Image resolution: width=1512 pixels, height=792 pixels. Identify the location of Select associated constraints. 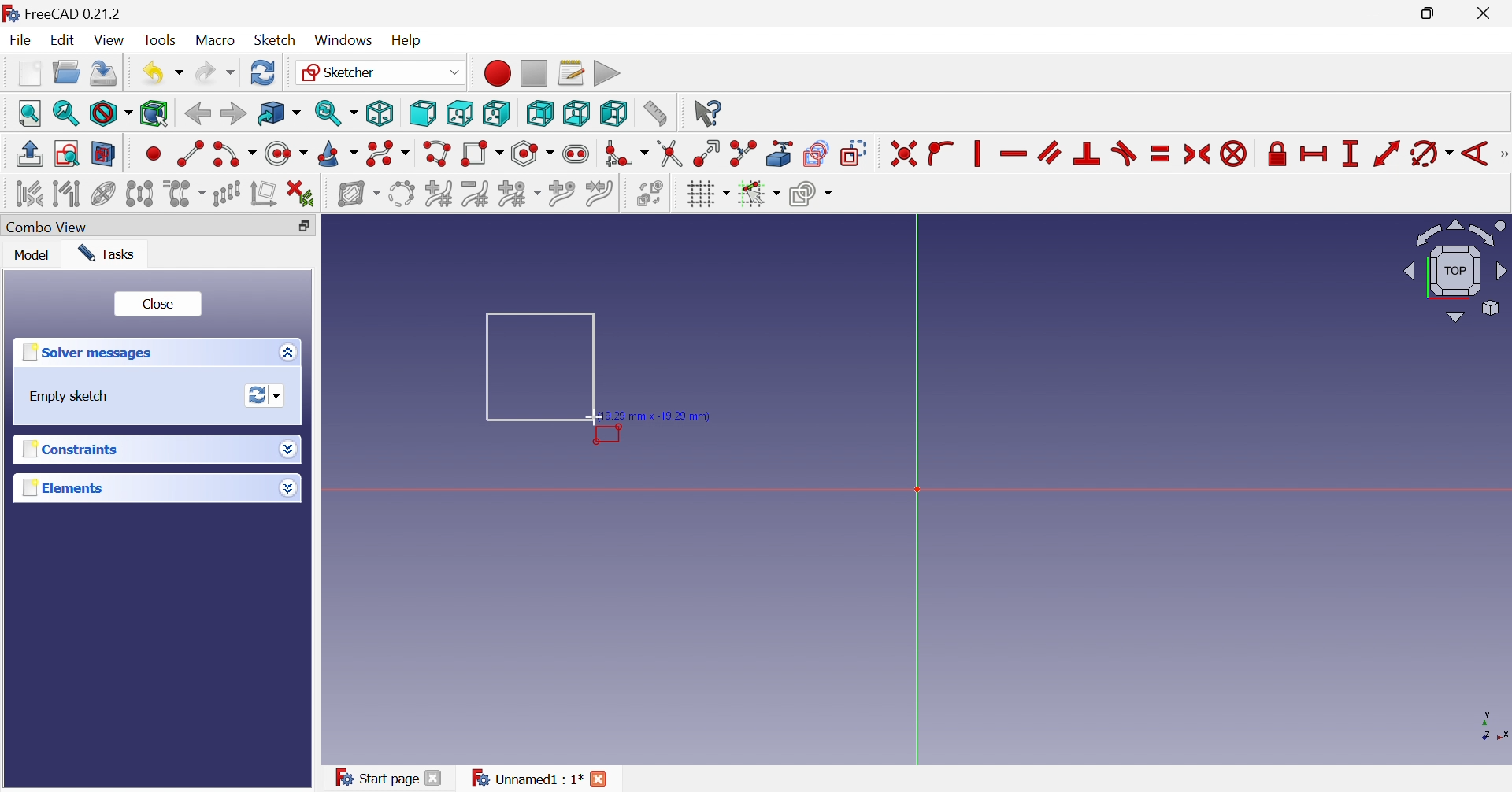
(28, 194).